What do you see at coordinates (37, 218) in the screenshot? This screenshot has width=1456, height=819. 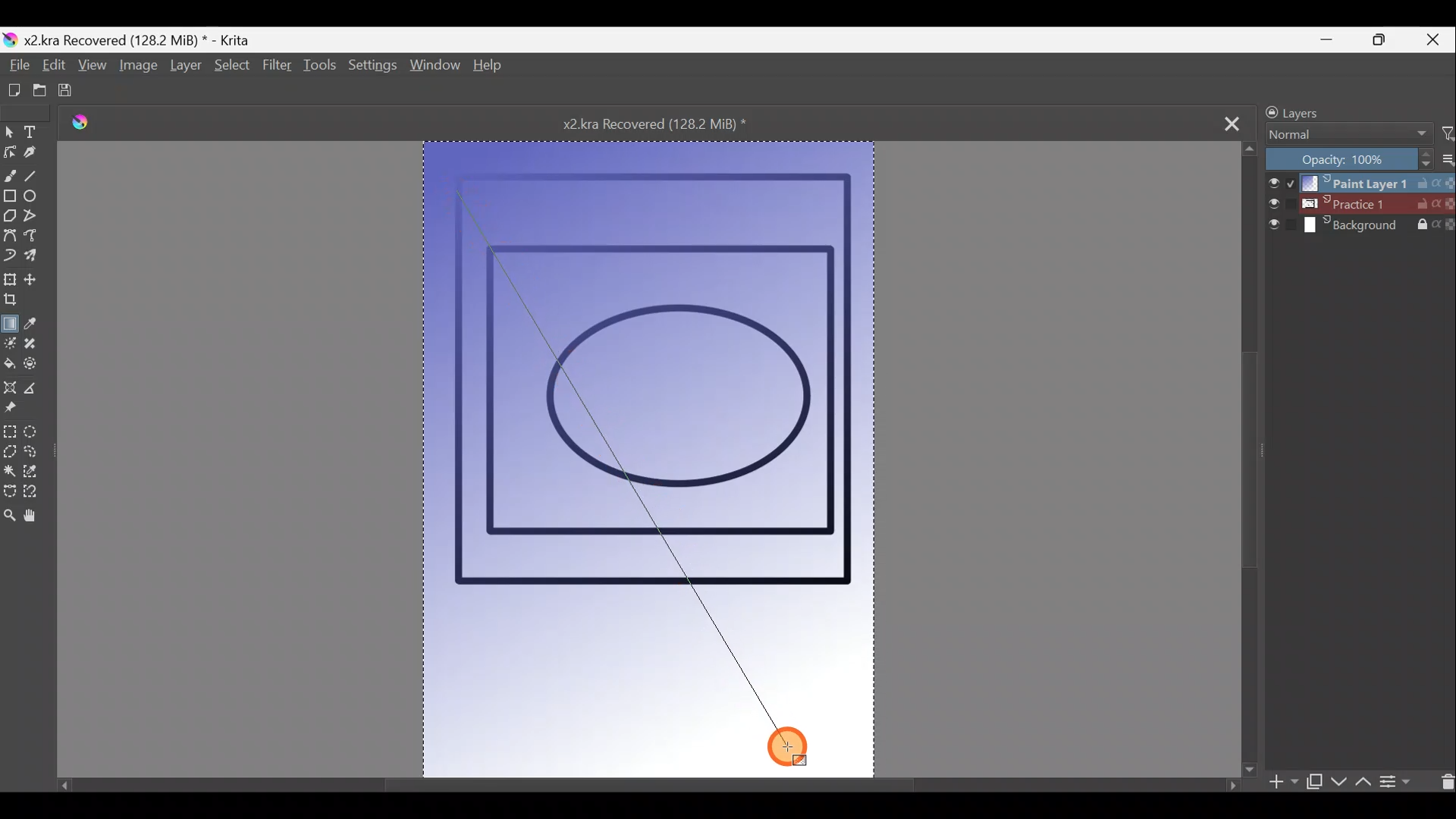 I see `Polyline tool` at bounding box center [37, 218].